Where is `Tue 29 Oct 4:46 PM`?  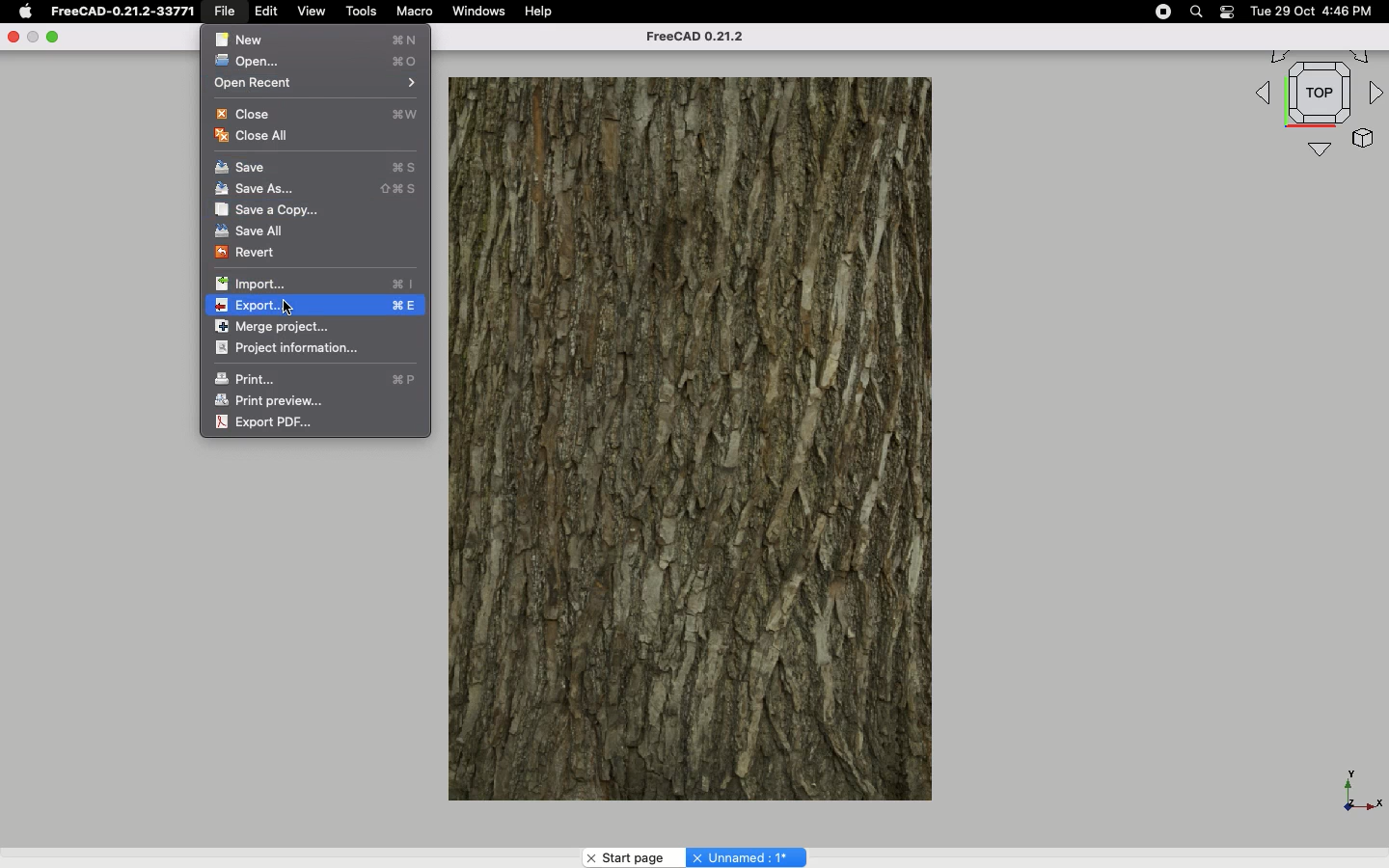
Tue 29 Oct 4:46 PM is located at coordinates (1315, 12).